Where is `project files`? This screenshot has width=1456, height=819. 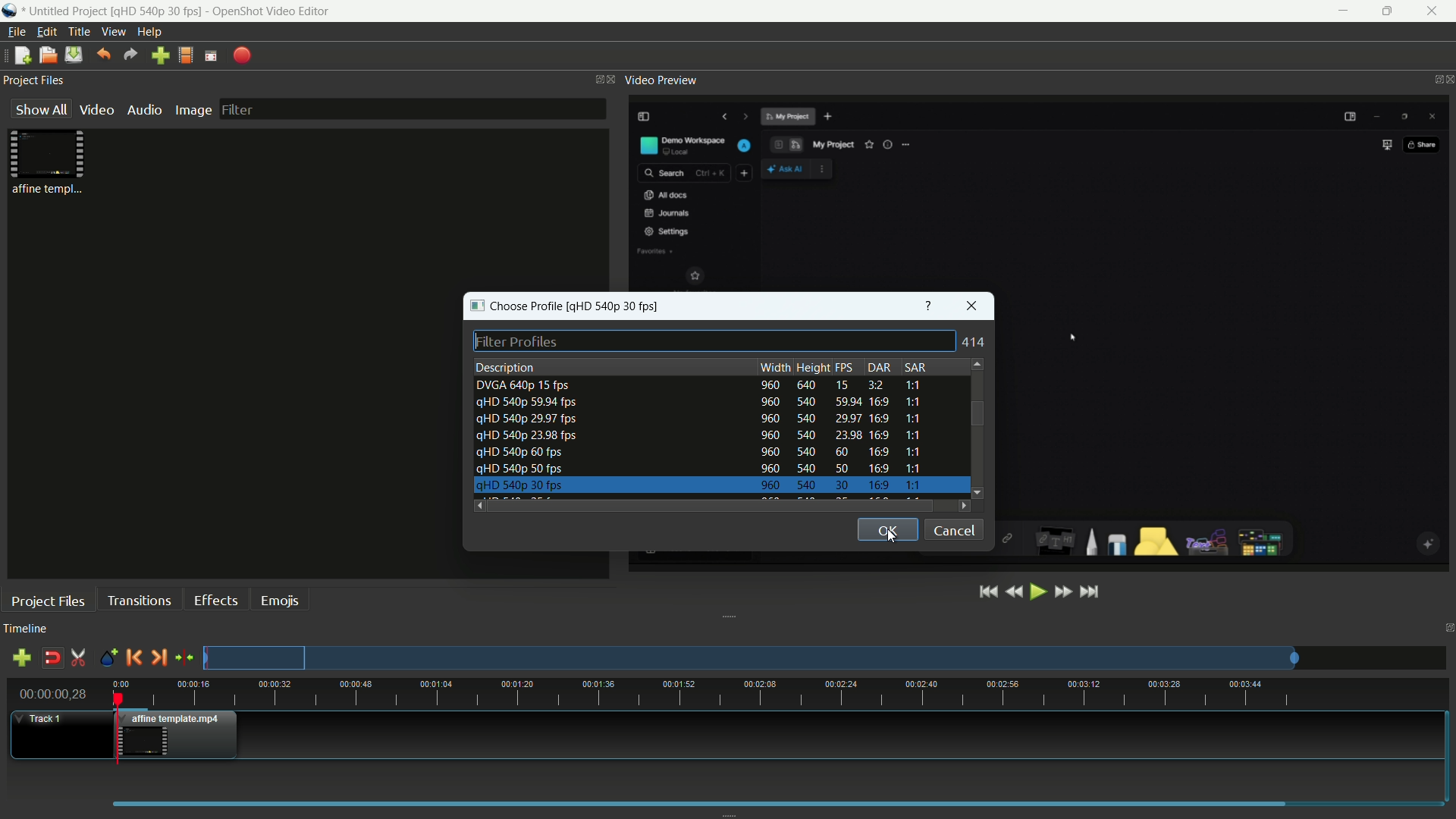
project files is located at coordinates (34, 80).